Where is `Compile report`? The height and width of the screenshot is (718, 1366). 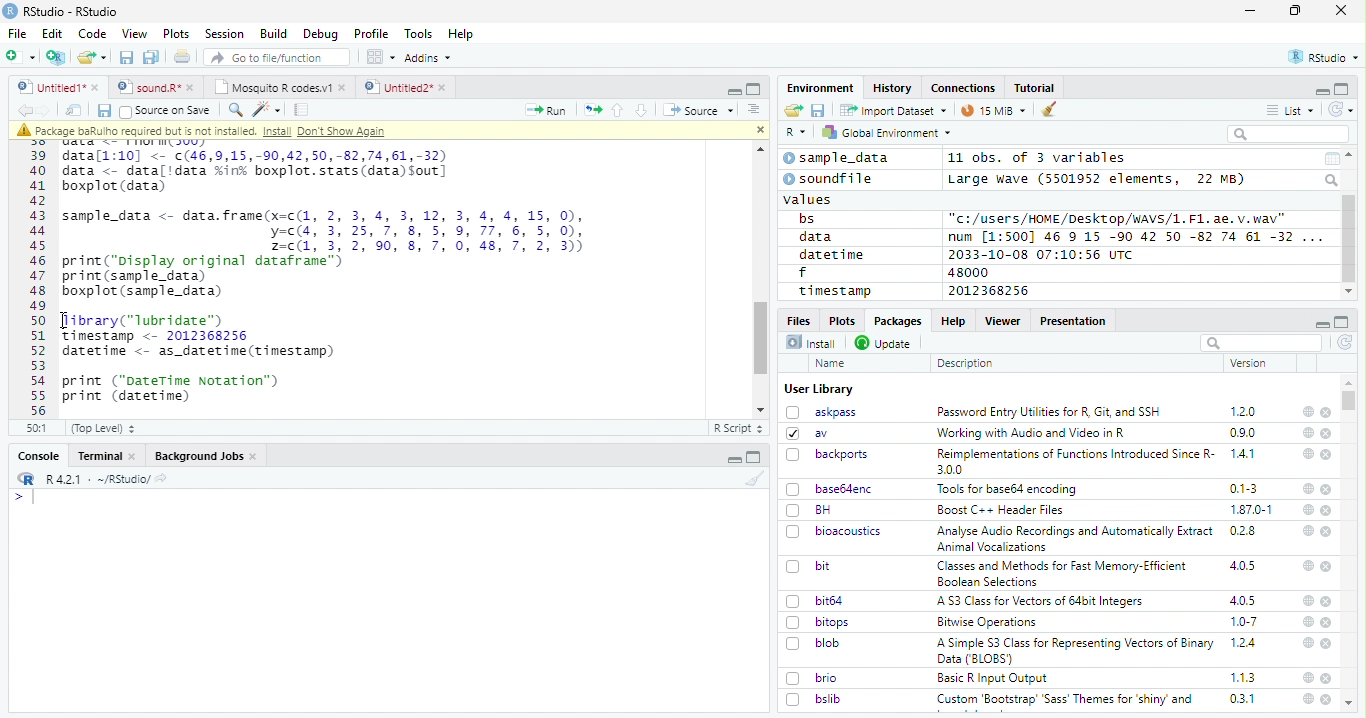 Compile report is located at coordinates (302, 110).